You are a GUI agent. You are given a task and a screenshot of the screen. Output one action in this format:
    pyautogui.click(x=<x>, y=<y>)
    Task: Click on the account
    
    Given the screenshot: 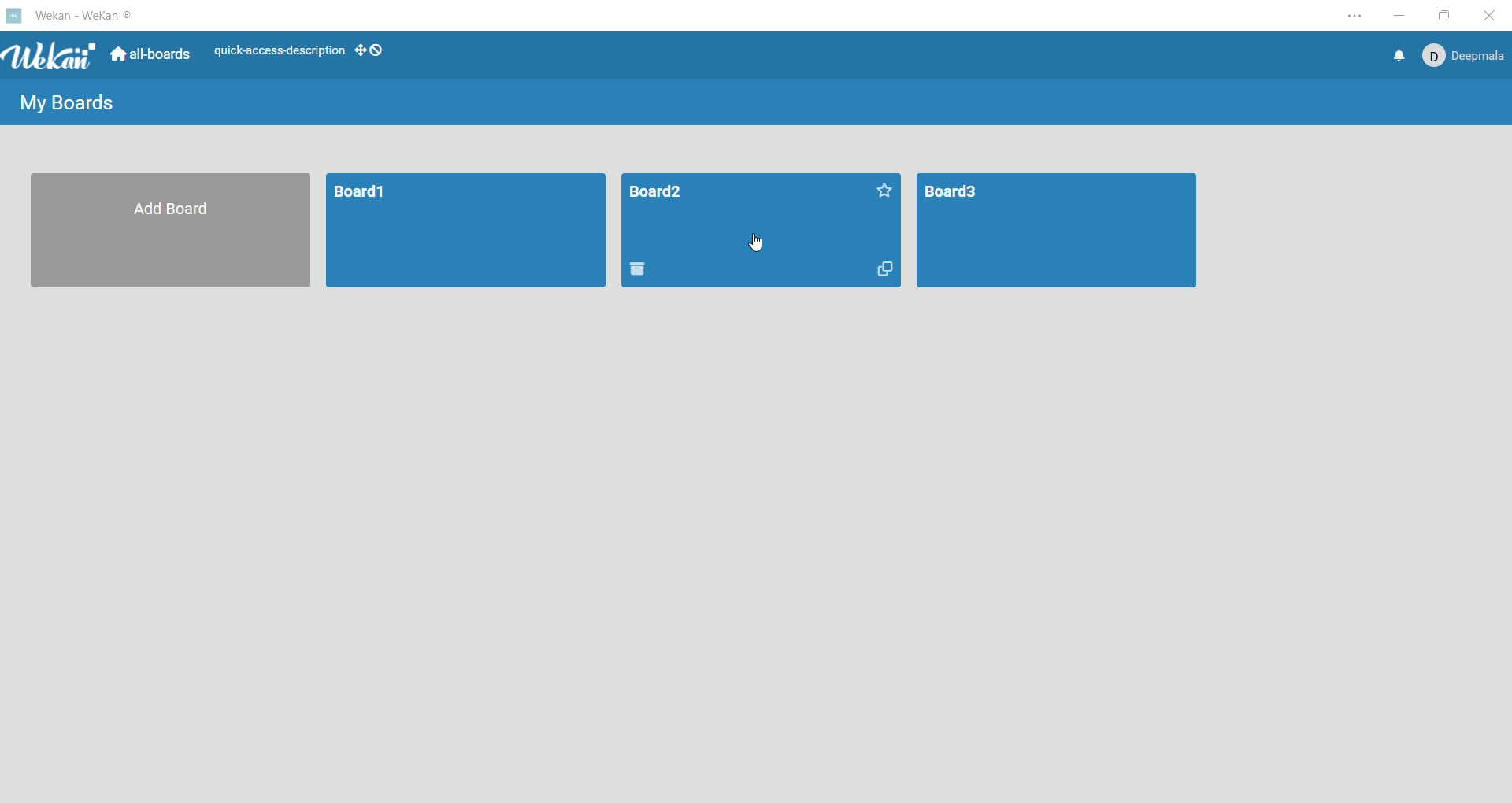 What is the action you would take?
    pyautogui.click(x=1461, y=56)
    